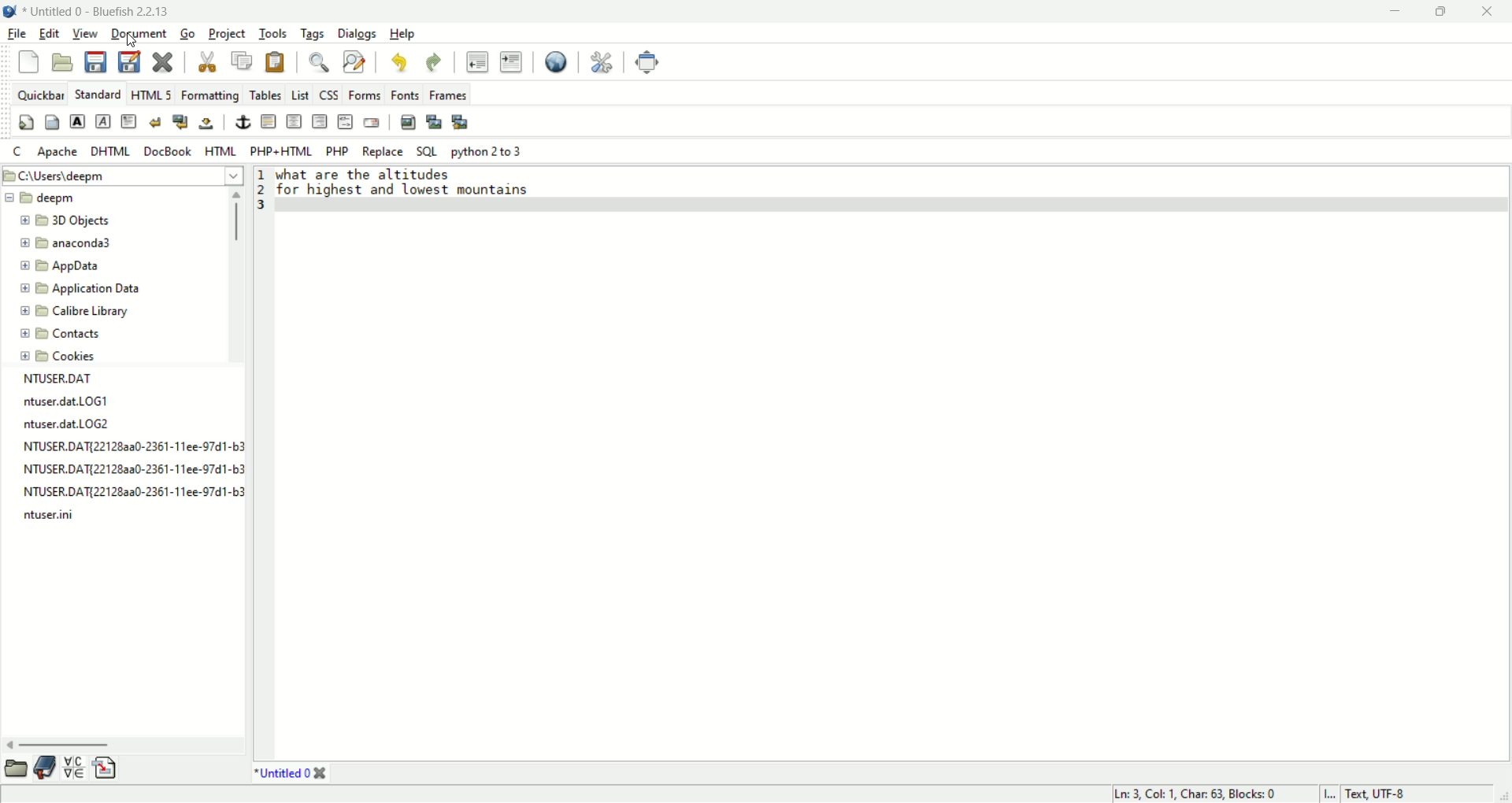 The height and width of the screenshot is (803, 1512). Describe the element at coordinates (205, 64) in the screenshot. I see `cut` at that location.